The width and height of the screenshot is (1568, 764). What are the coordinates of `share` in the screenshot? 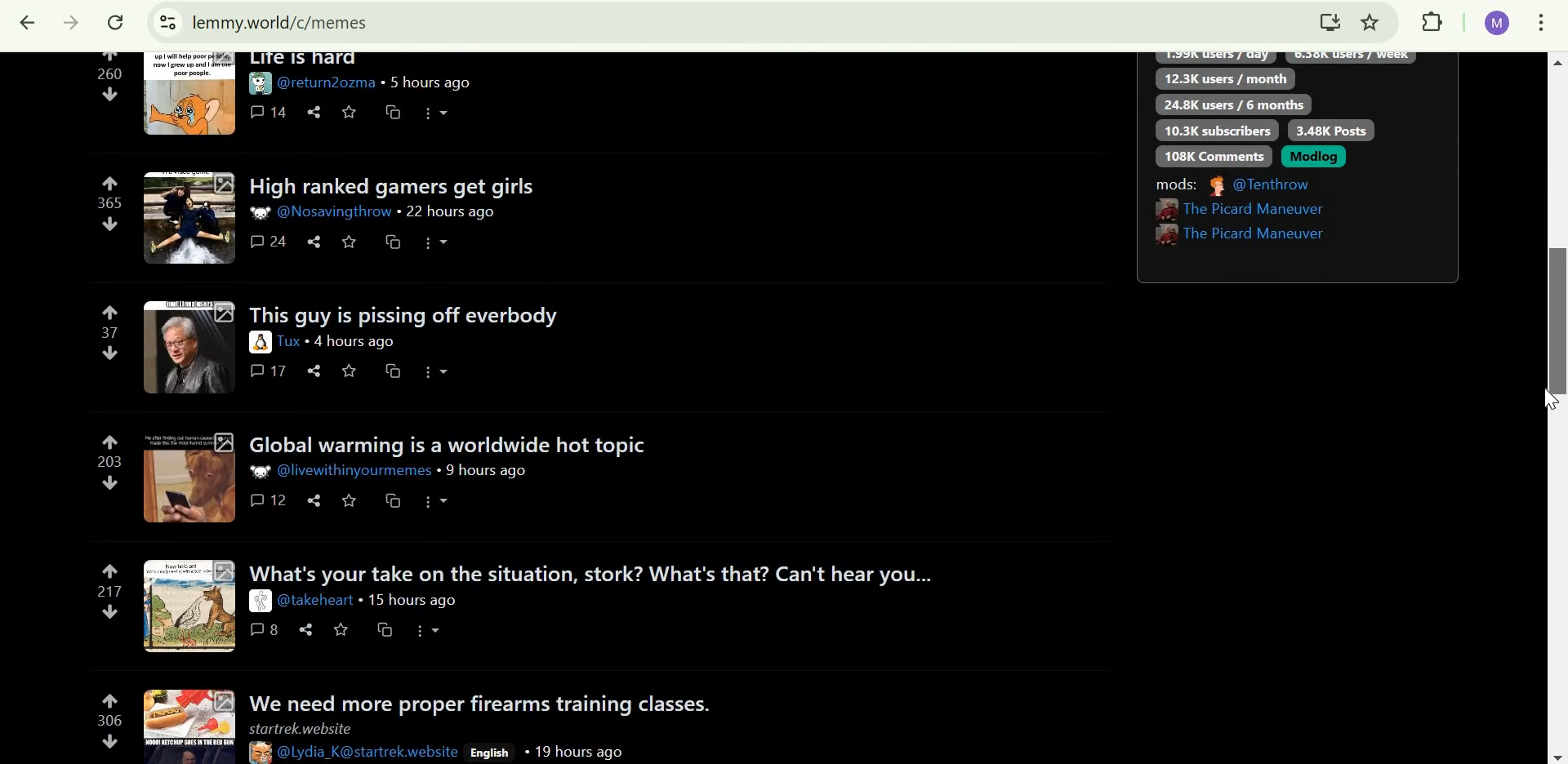 It's located at (317, 371).